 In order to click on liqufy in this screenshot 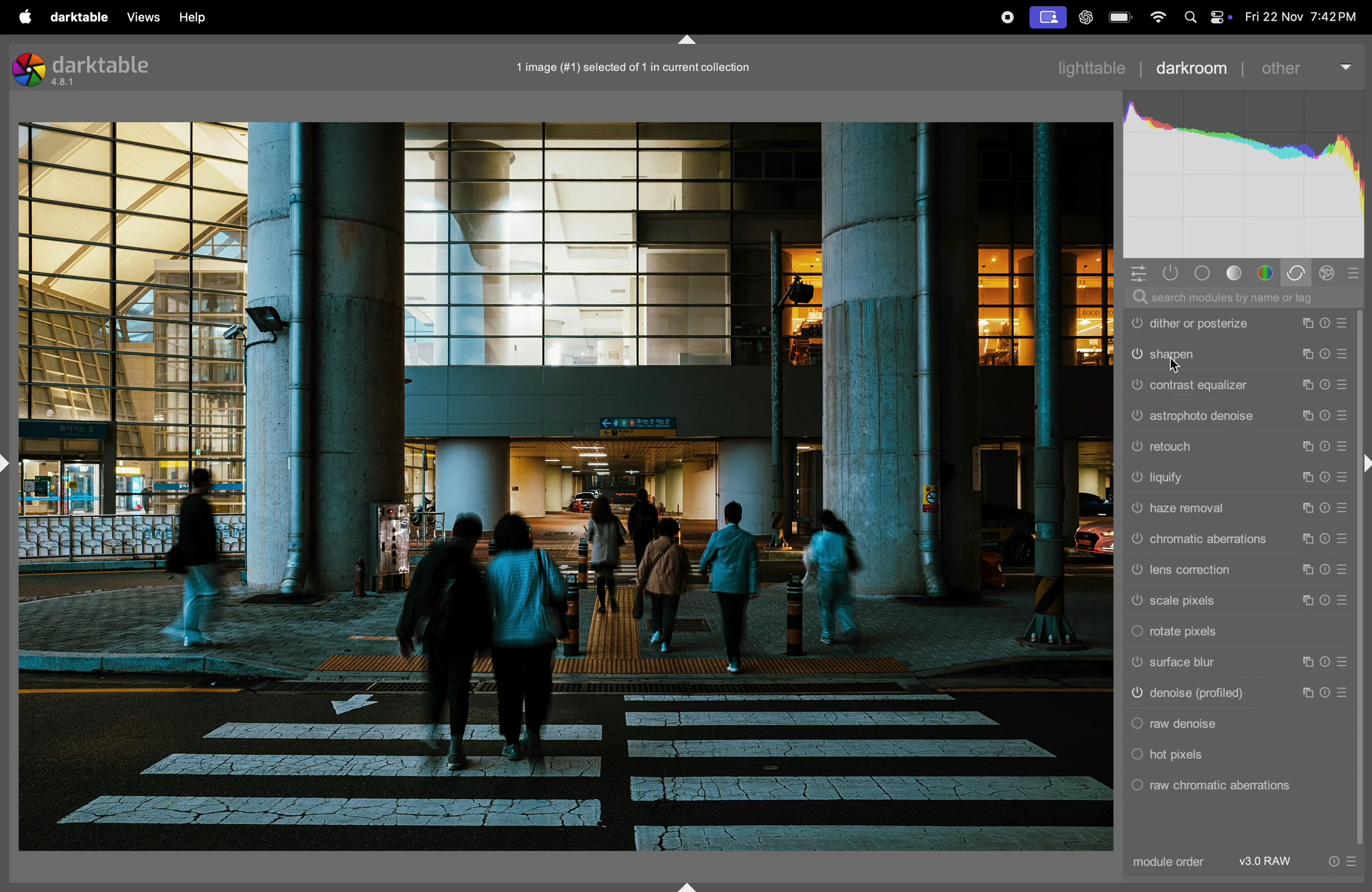, I will do `click(1237, 478)`.